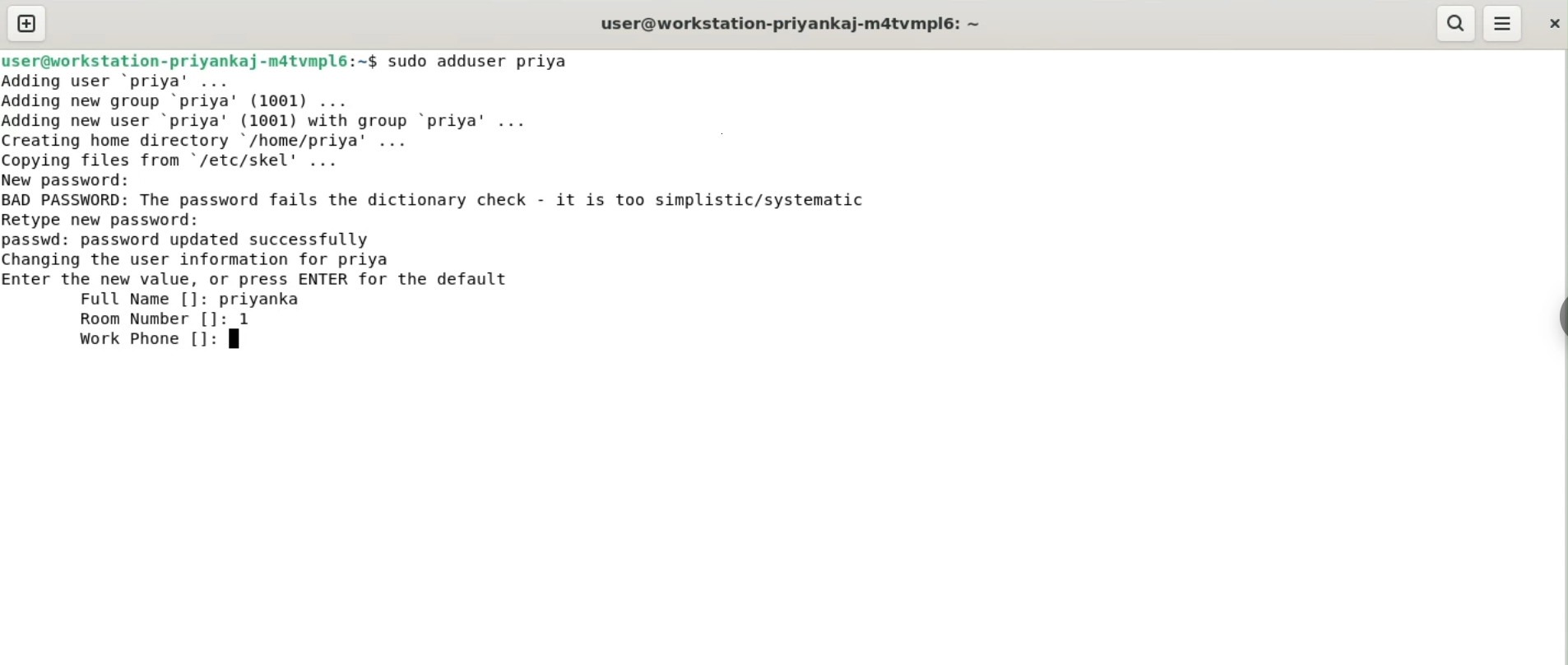  Describe the element at coordinates (79, 179) in the screenshot. I see `new password` at that location.